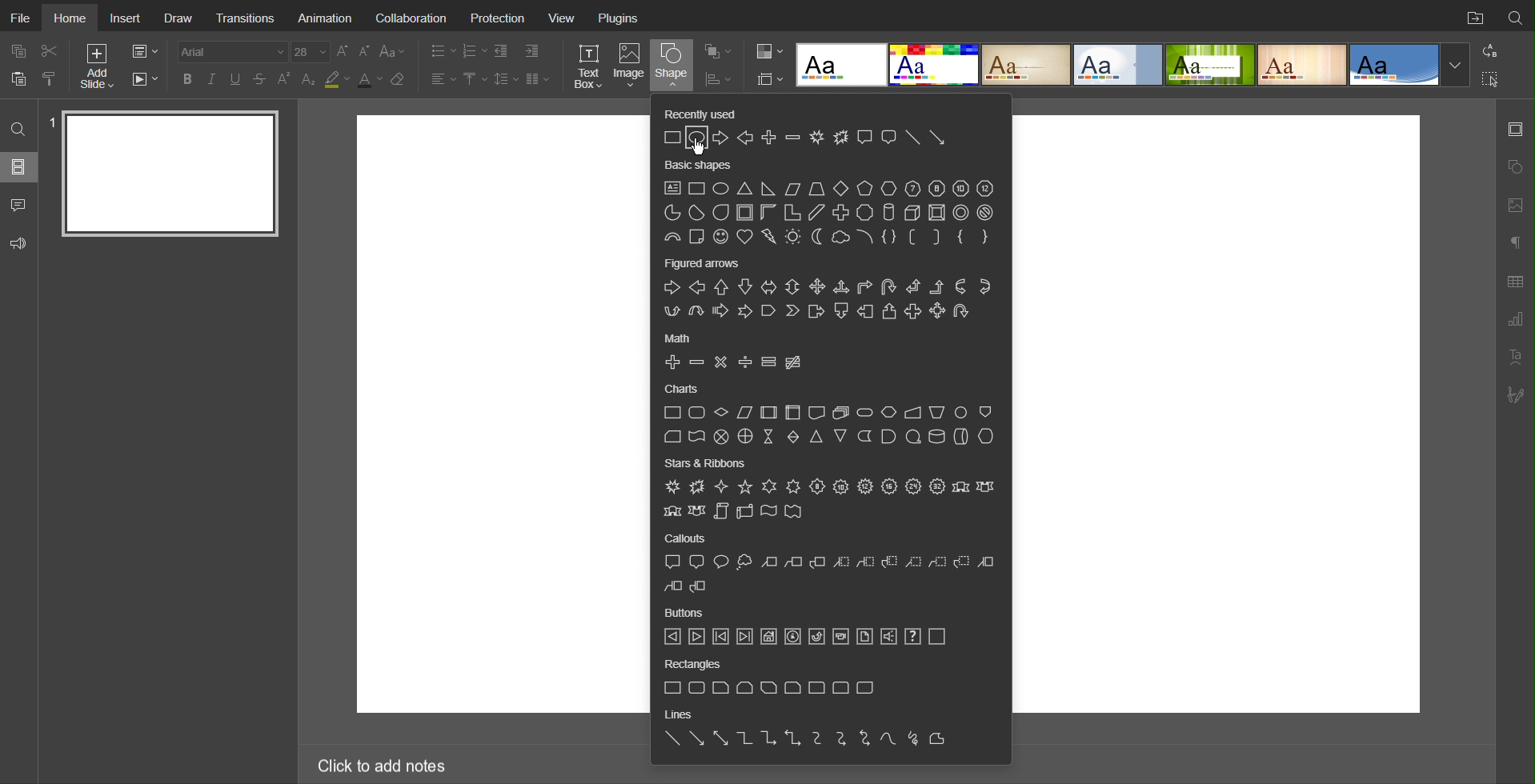 The image size is (1535, 784). Describe the element at coordinates (1514, 240) in the screenshot. I see `Paragraph Settings` at that location.